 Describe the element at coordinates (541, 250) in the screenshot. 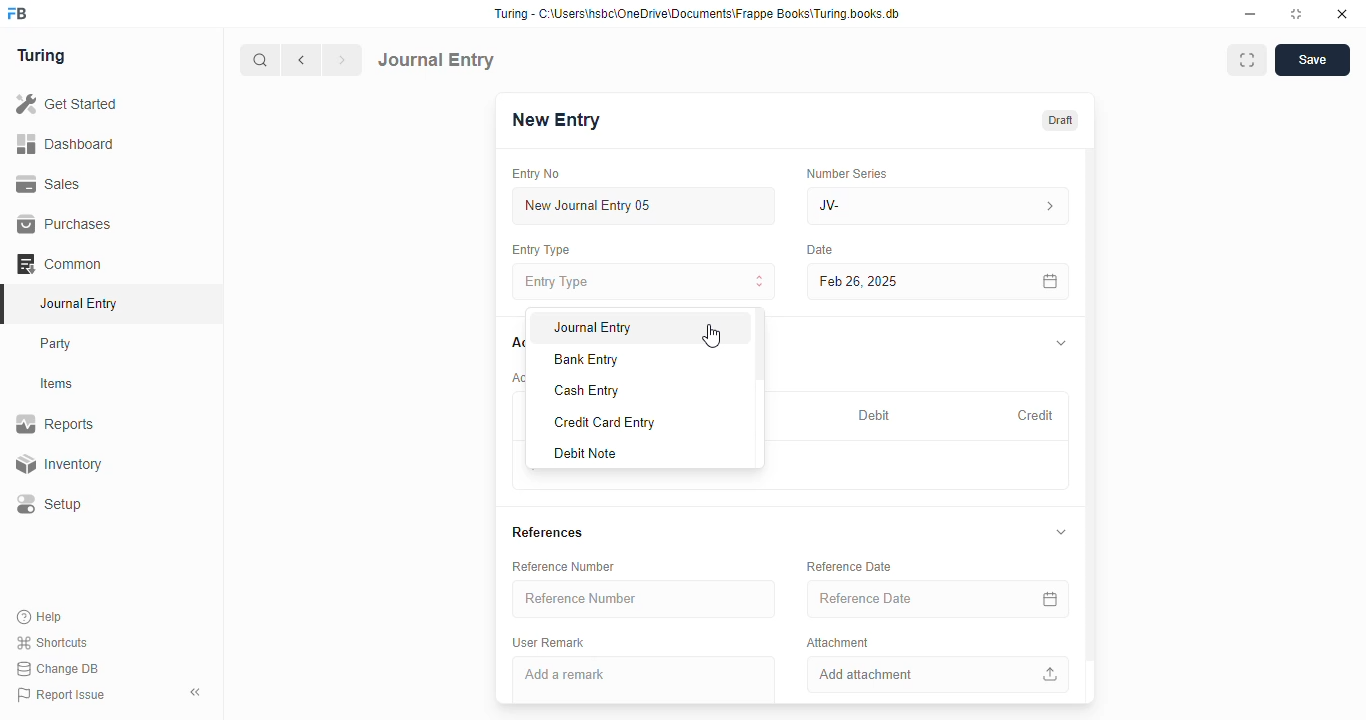

I see `entry type` at that location.